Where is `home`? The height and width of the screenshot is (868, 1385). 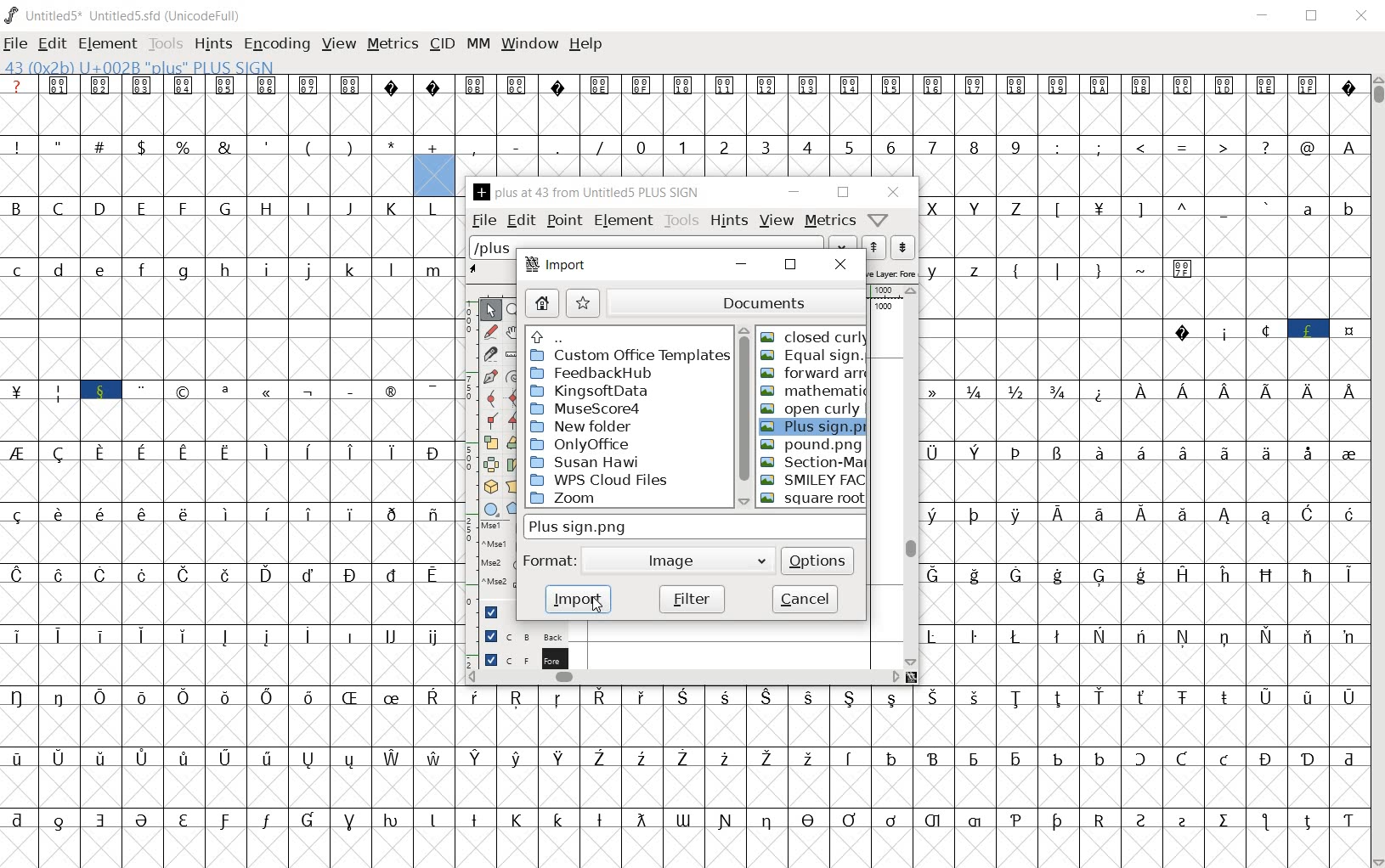
home is located at coordinates (540, 302).